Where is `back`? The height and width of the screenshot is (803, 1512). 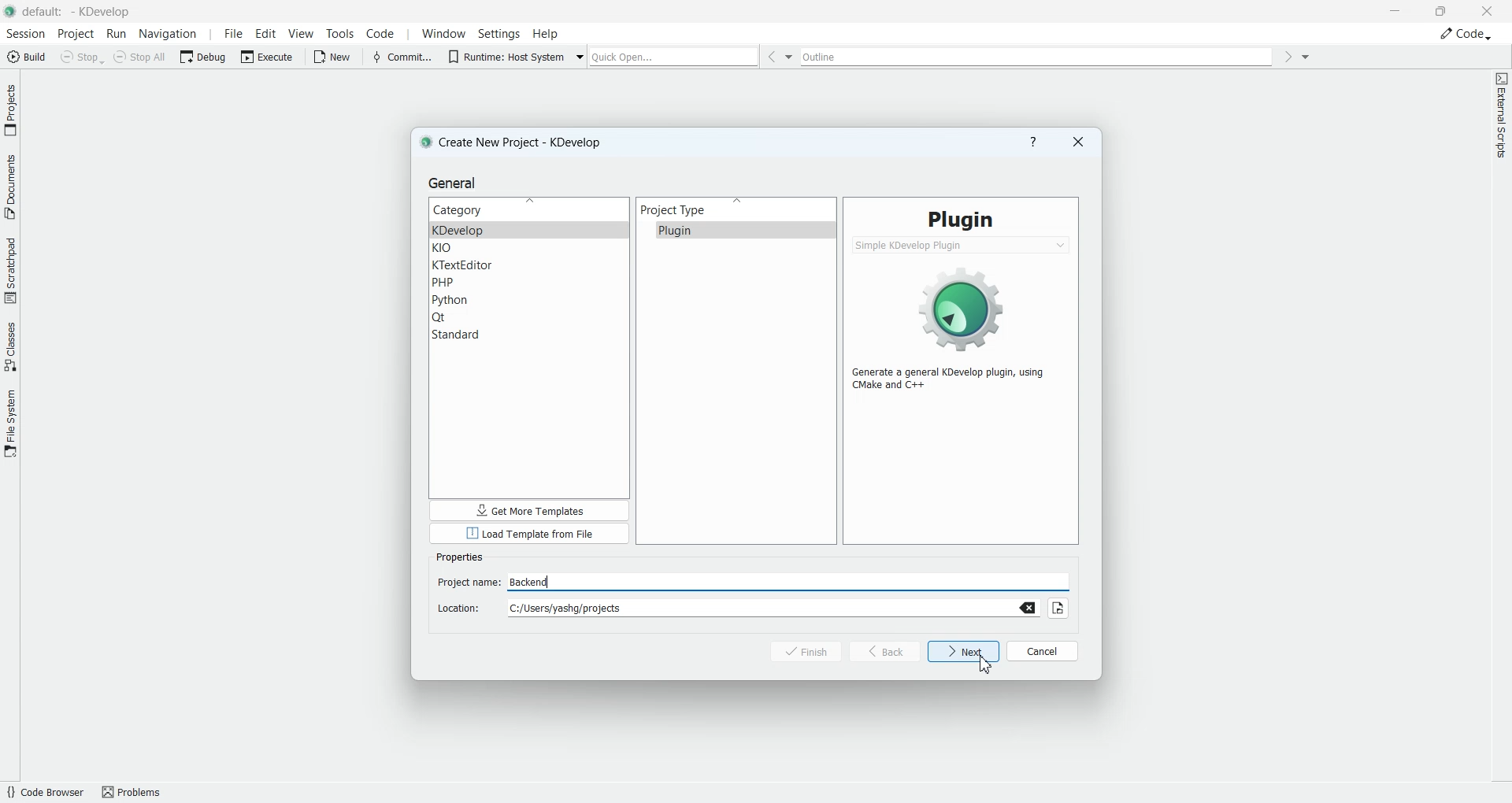
back is located at coordinates (885, 651).